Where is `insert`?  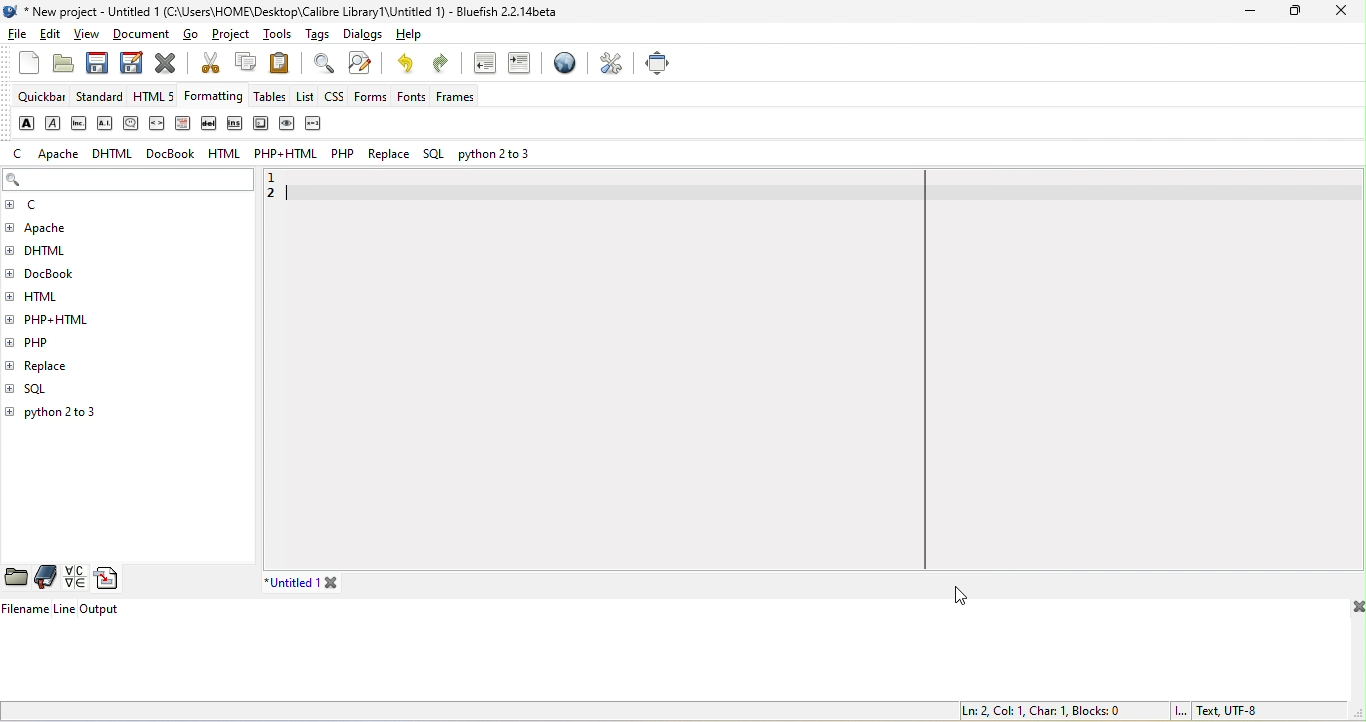 insert is located at coordinates (233, 125).